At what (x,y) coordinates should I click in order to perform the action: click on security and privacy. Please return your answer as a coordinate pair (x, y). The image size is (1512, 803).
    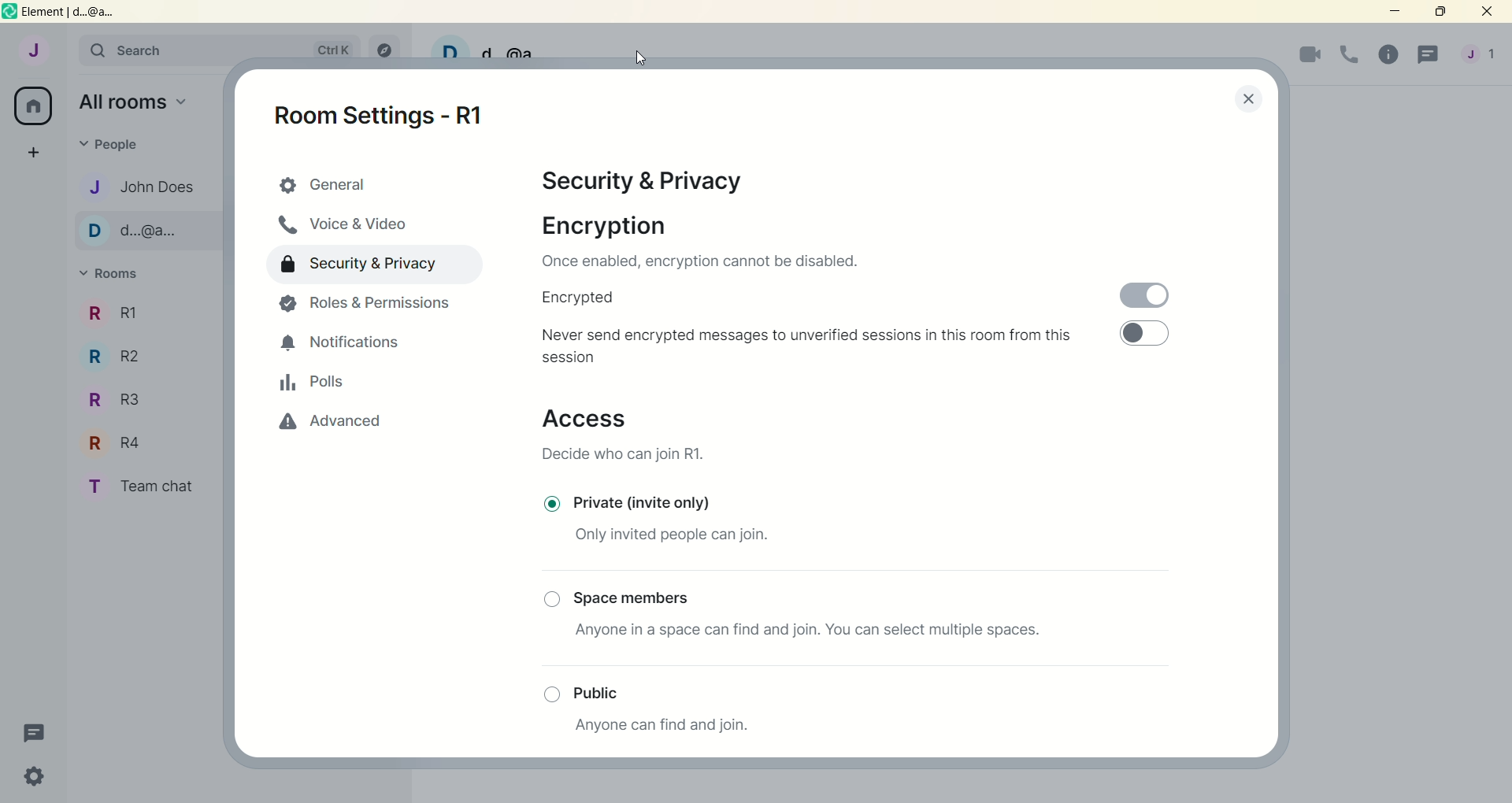
    Looking at the image, I should click on (365, 268).